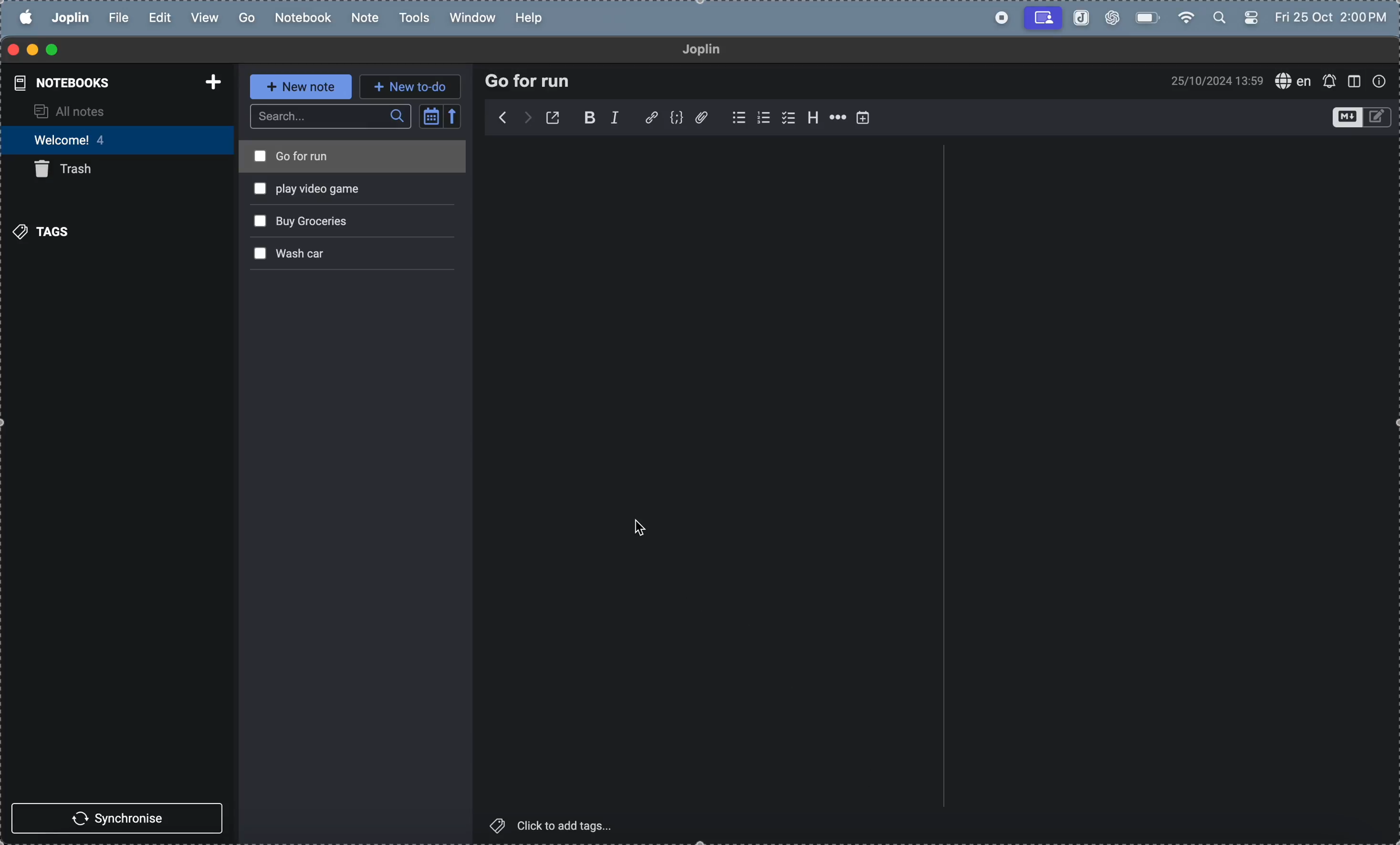 This screenshot has width=1400, height=845. What do you see at coordinates (816, 117) in the screenshot?
I see `heading` at bounding box center [816, 117].